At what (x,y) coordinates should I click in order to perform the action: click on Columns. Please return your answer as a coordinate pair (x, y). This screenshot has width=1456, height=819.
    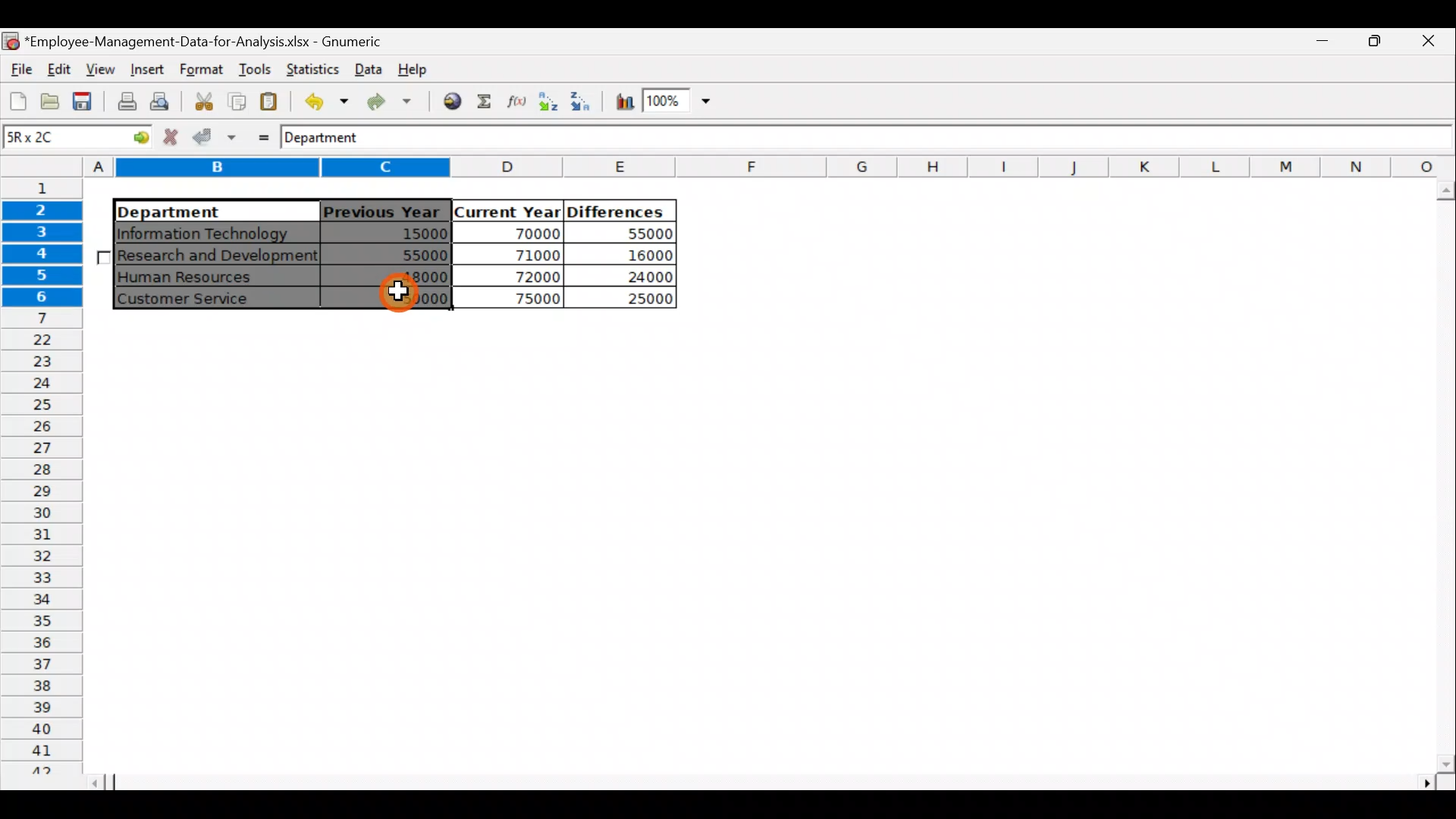
    Looking at the image, I should click on (770, 166).